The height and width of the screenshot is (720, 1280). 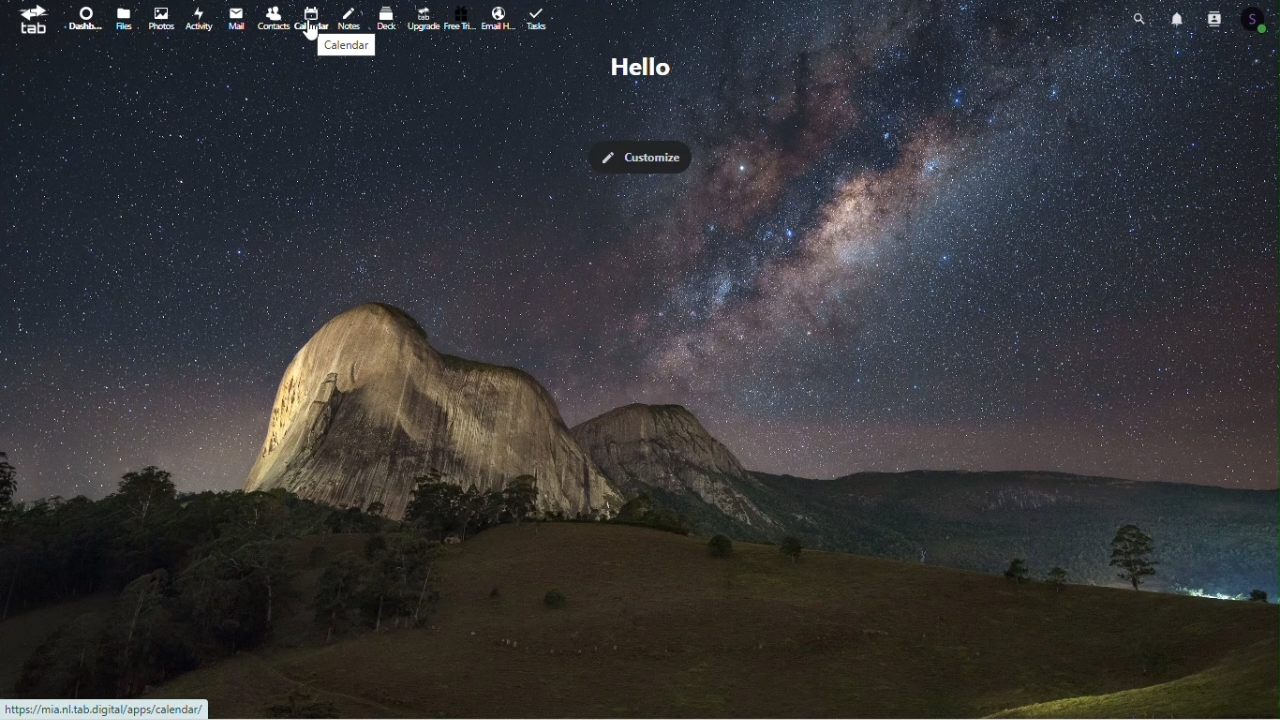 I want to click on tab, so click(x=33, y=24).